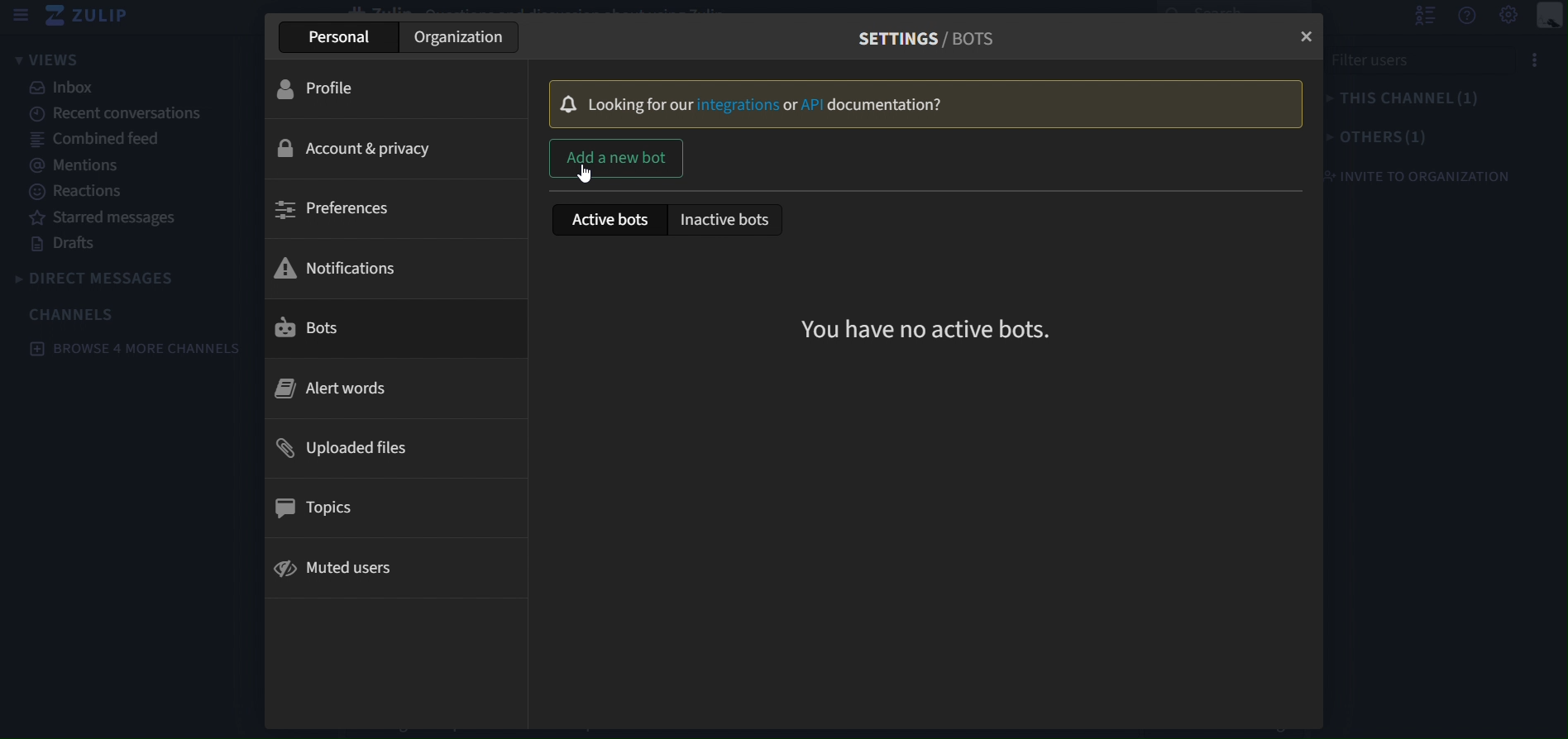 The image size is (1568, 739). Describe the element at coordinates (607, 220) in the screenshot. I see `active bots` at that location.